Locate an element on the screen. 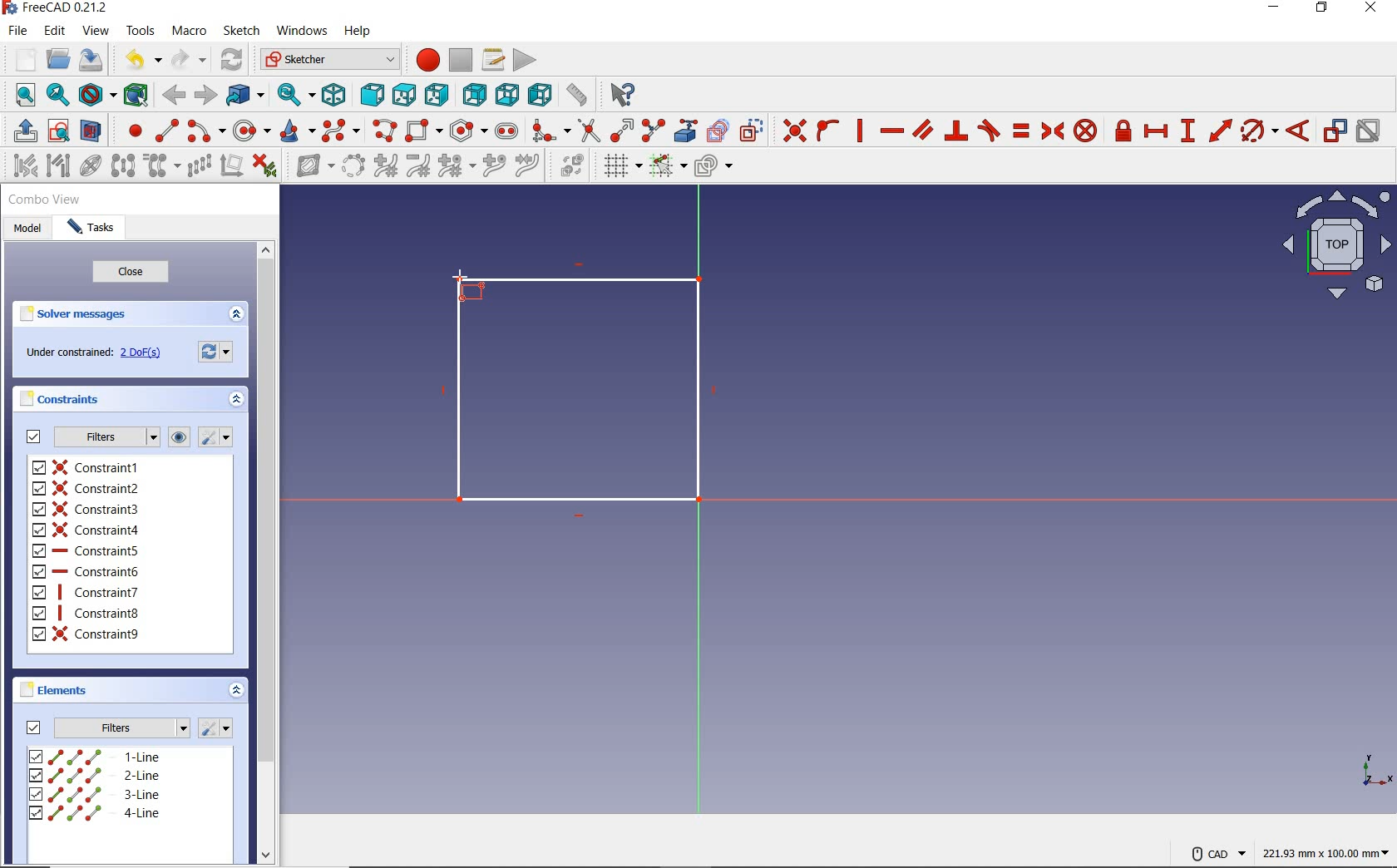 This screenshot has width=1397, height=868. delete all constraints is located at coordinates (264, 167).